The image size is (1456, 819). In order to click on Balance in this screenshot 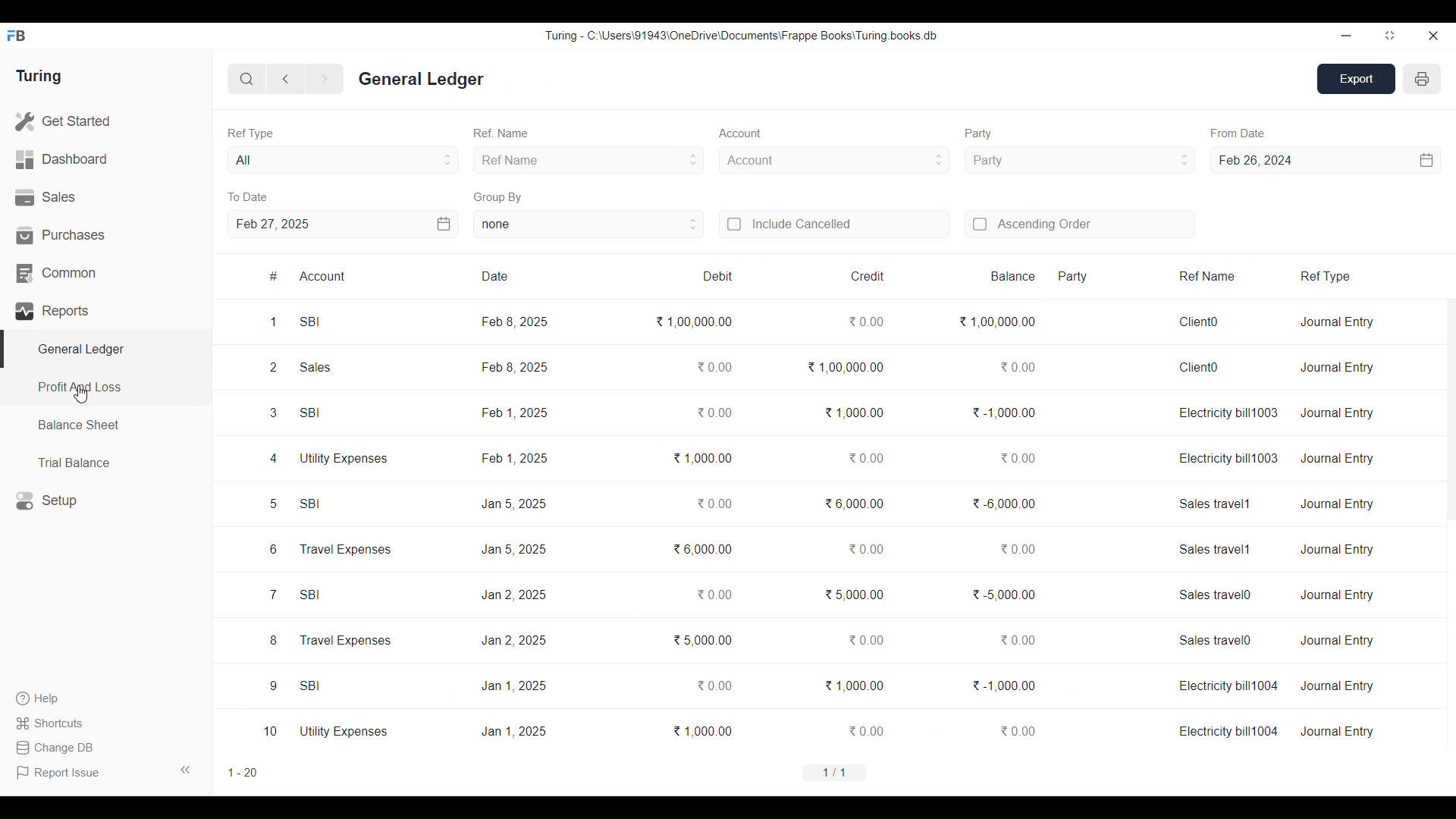, I will do `click(998, 276)`.